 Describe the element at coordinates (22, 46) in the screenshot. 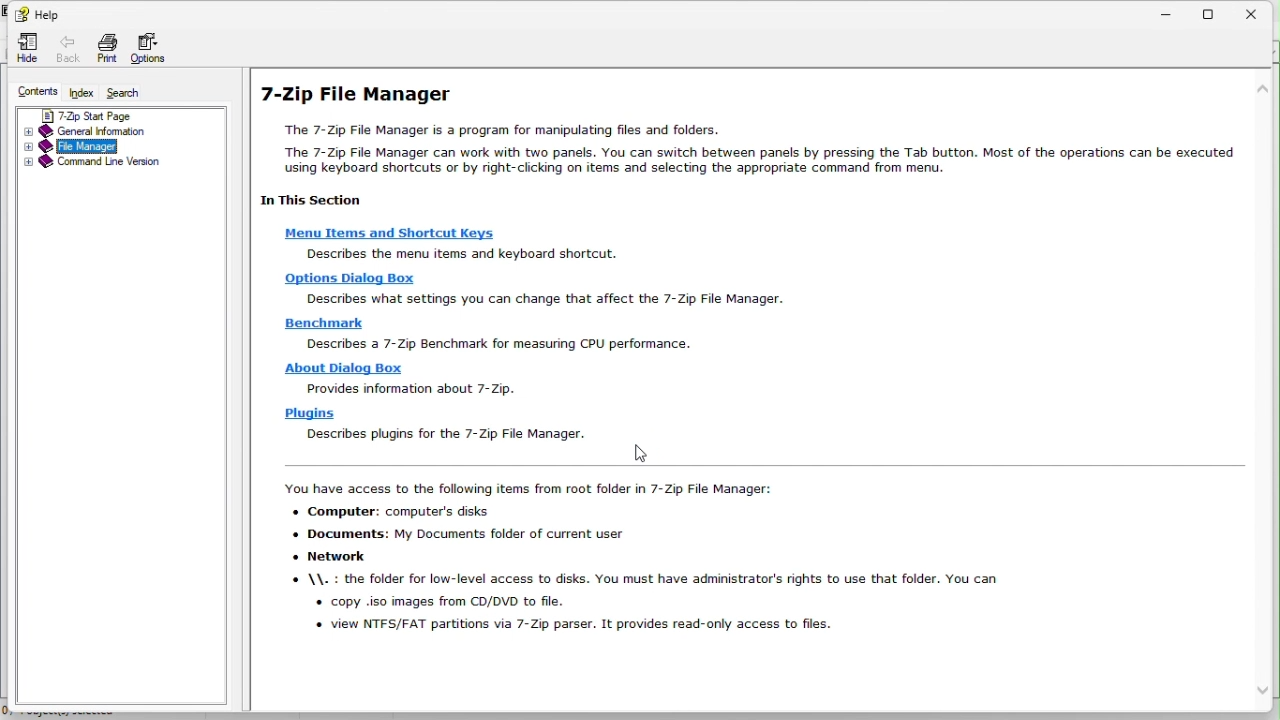

I see `Hide` at that location.